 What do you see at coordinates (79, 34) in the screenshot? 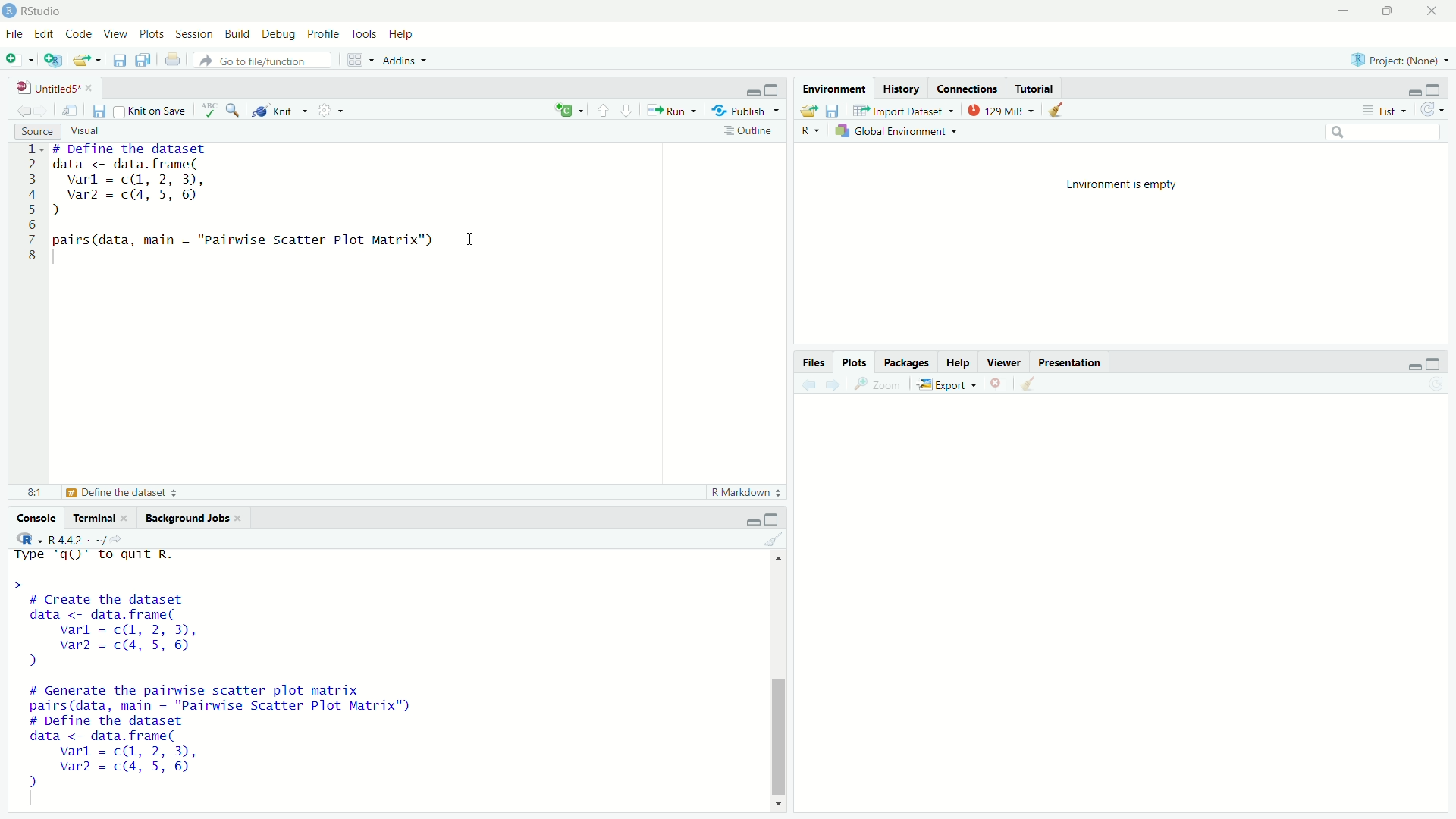
I see `Code` at bounding box center [79, 34].